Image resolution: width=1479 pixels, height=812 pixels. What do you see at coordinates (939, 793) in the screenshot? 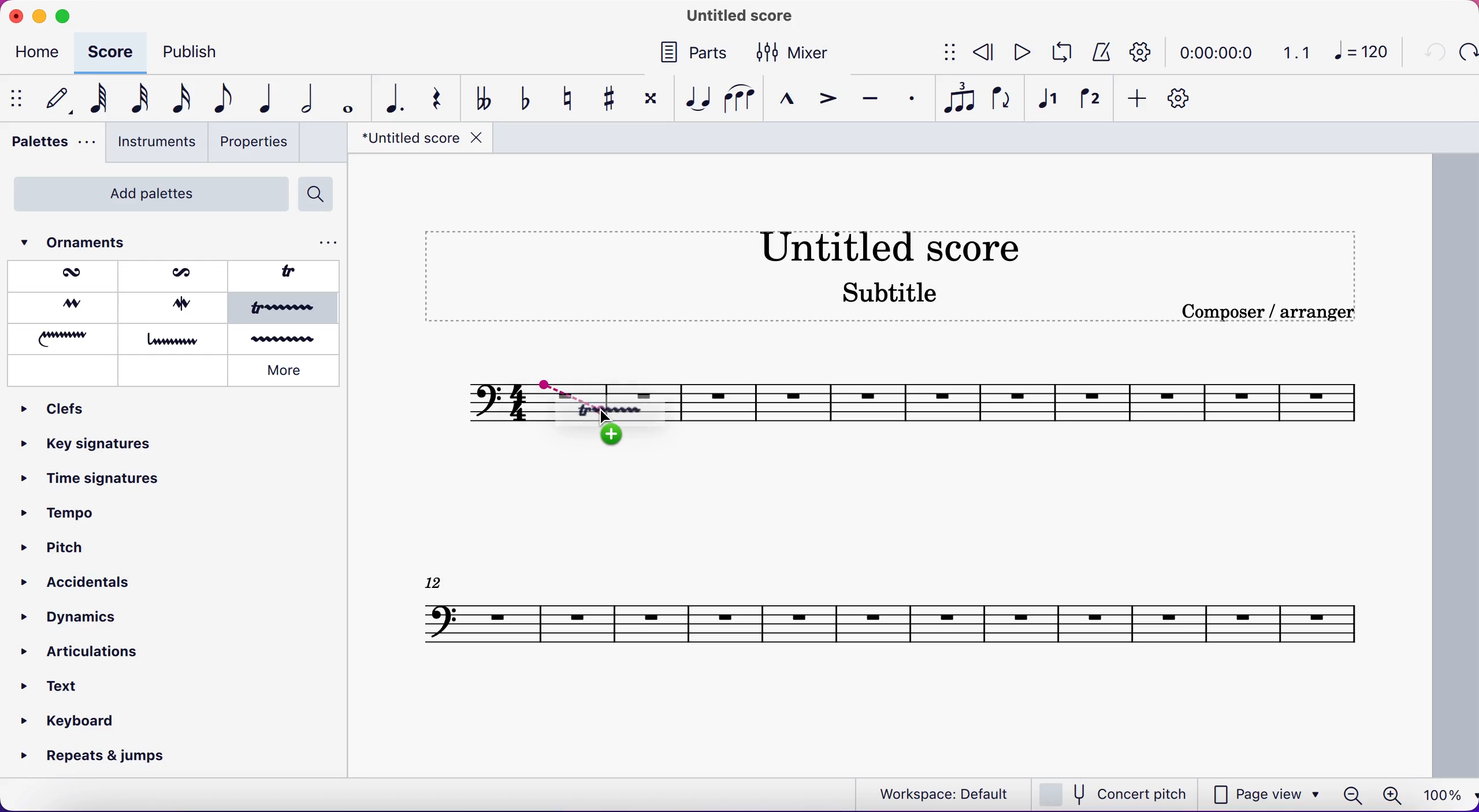
I see `workspace: default` at bounding box center [939, 793].